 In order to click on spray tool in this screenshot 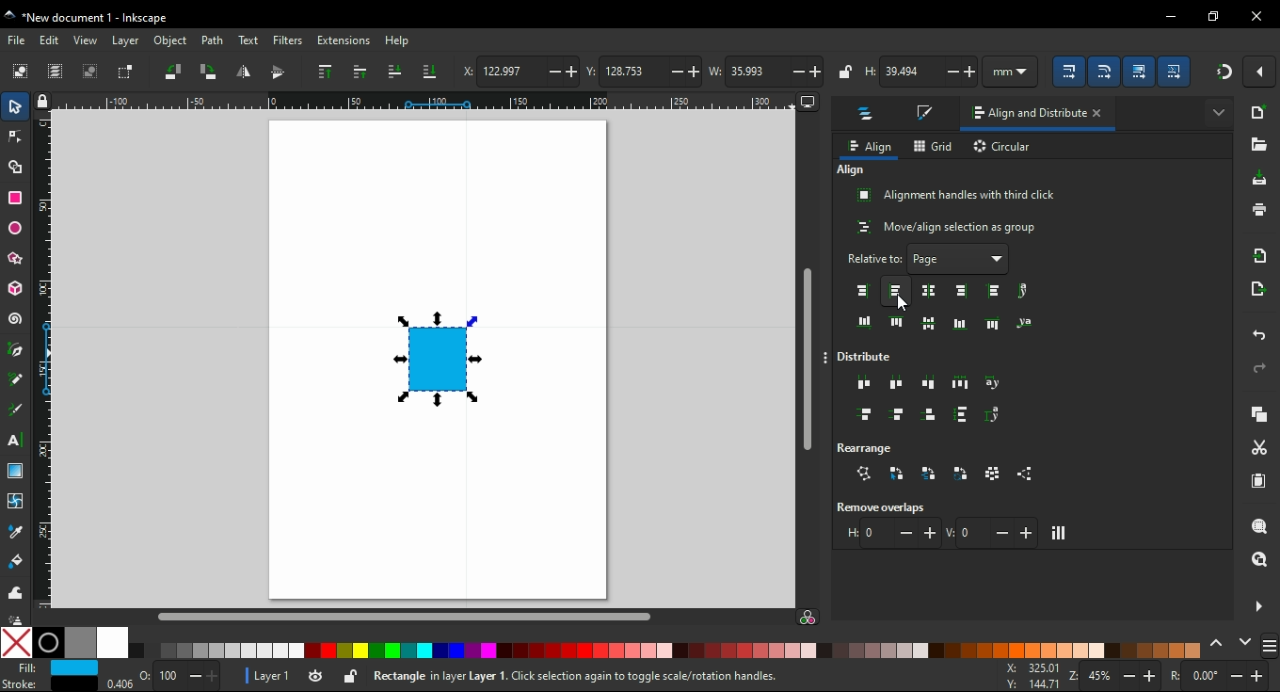, I will do `click(18, 616)`.